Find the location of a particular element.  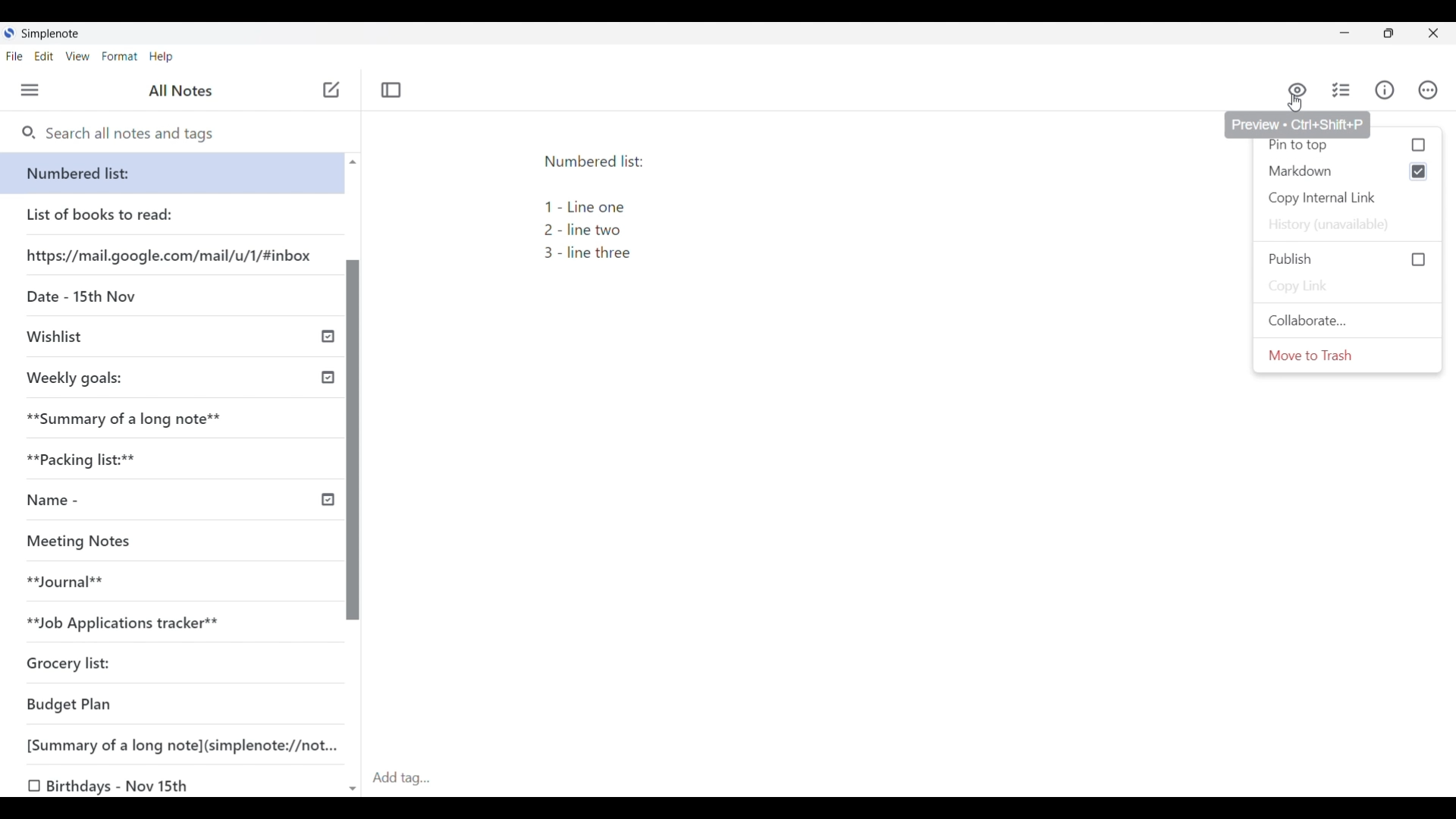

Edit menu is located at coordinates (44, 56).